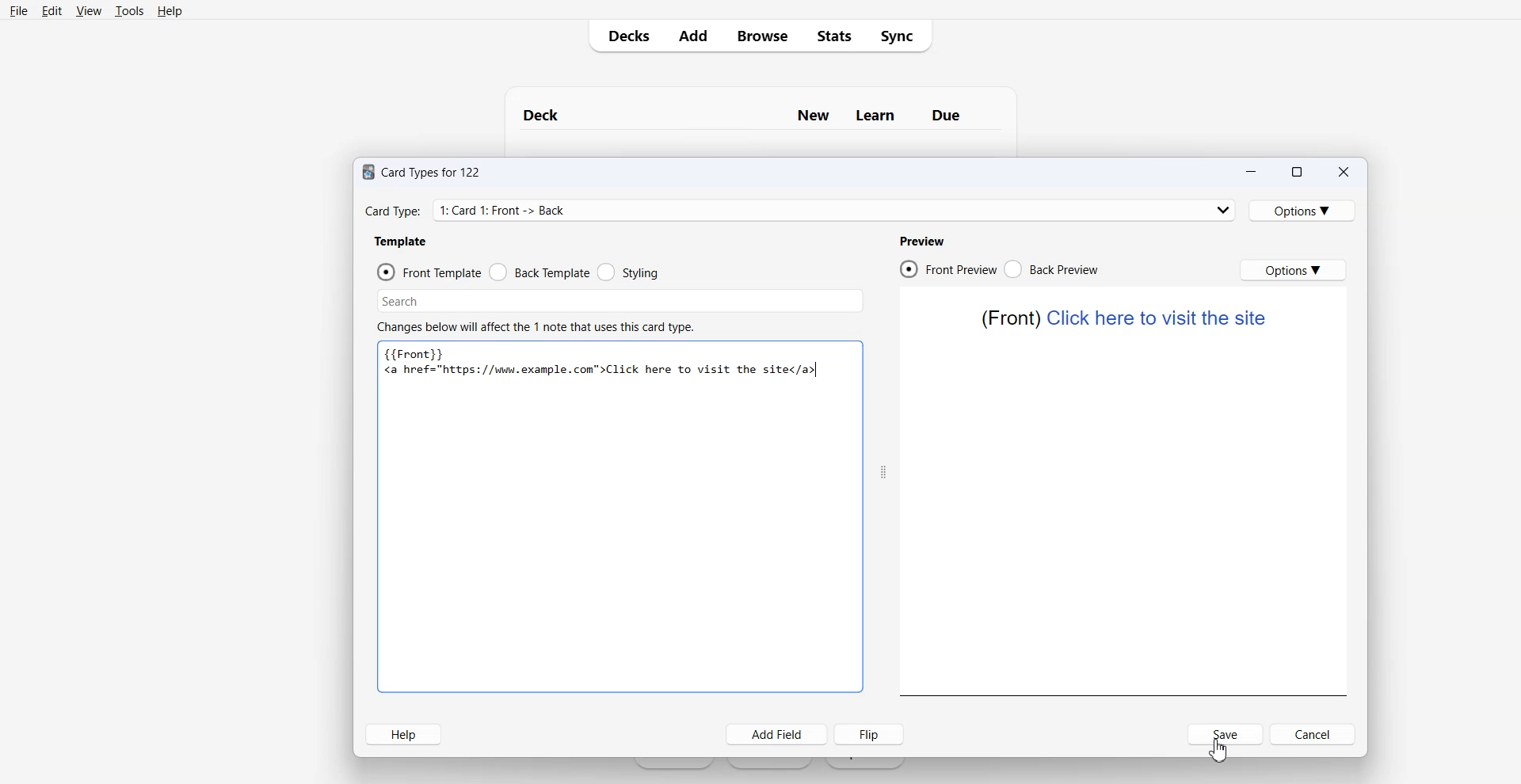 Image resolution: width=1521 pixels, height=784 pixels. What do you see at coordinates (924, 242) in the screenshot?
I see `Preview` at bounding box center [924, 242].